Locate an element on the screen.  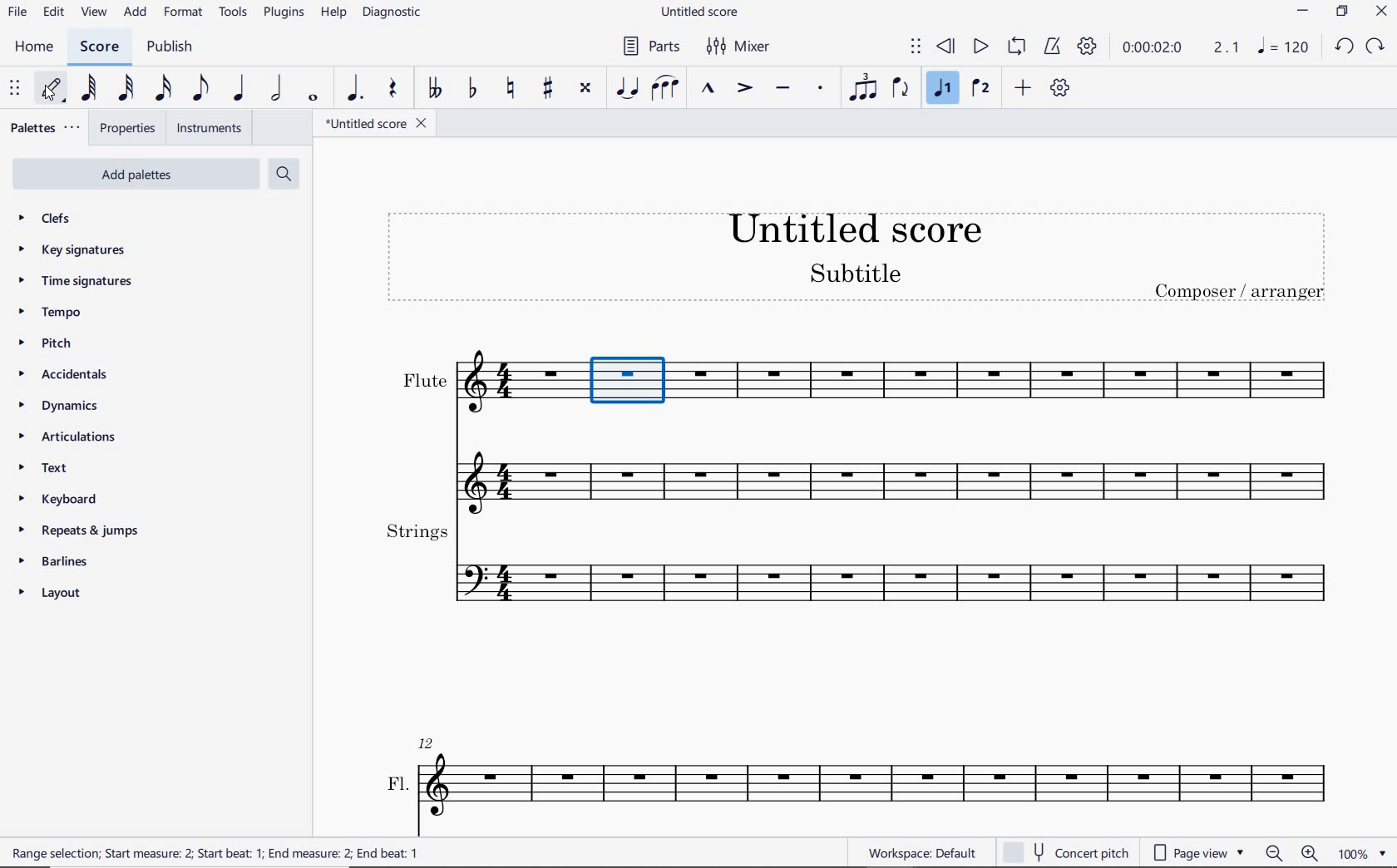
TOGGLE DOUBLE-SHARP is located at coordinates (585, 86).